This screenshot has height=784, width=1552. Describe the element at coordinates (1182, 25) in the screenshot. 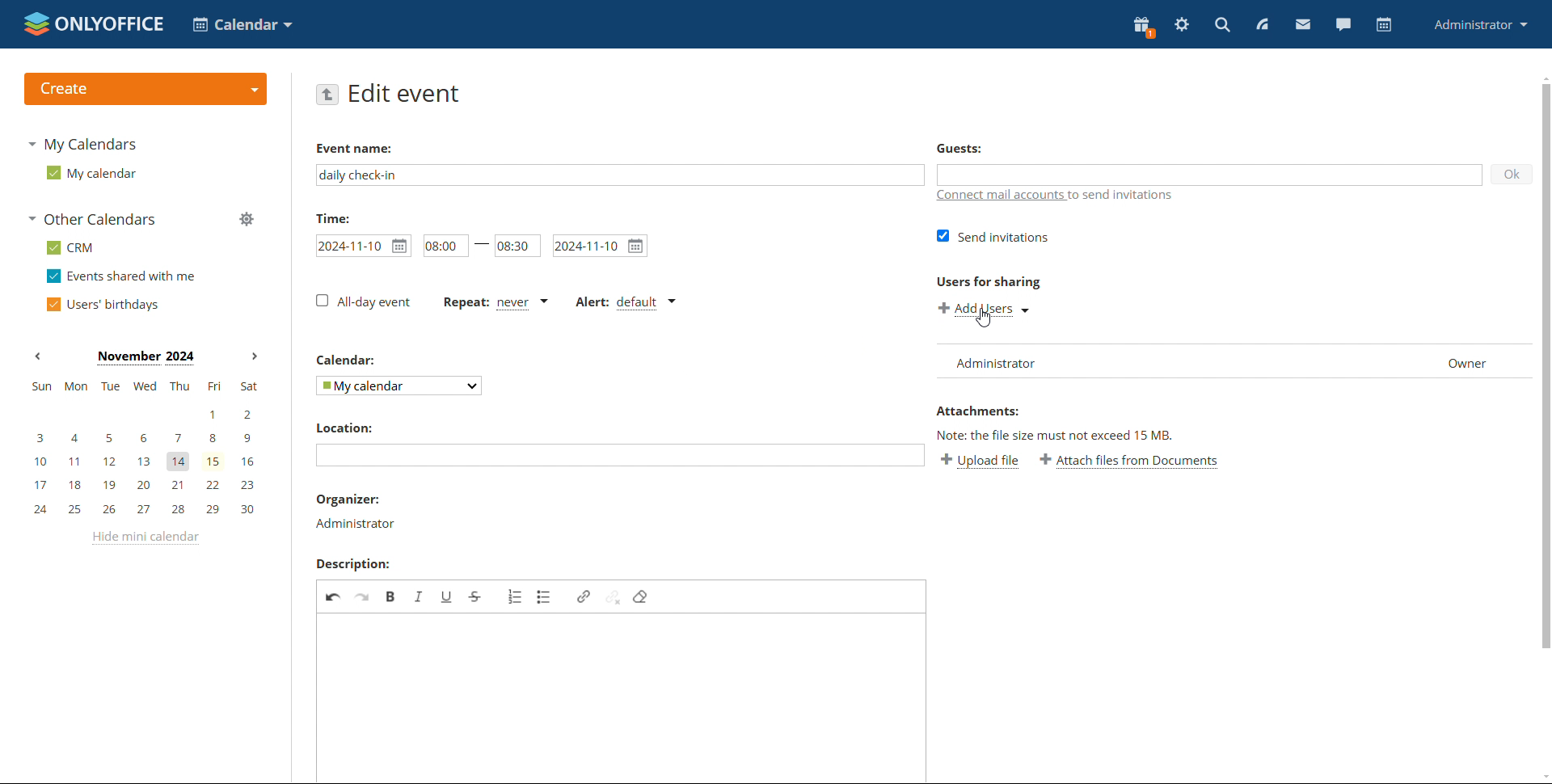

I see `settings` at that location.